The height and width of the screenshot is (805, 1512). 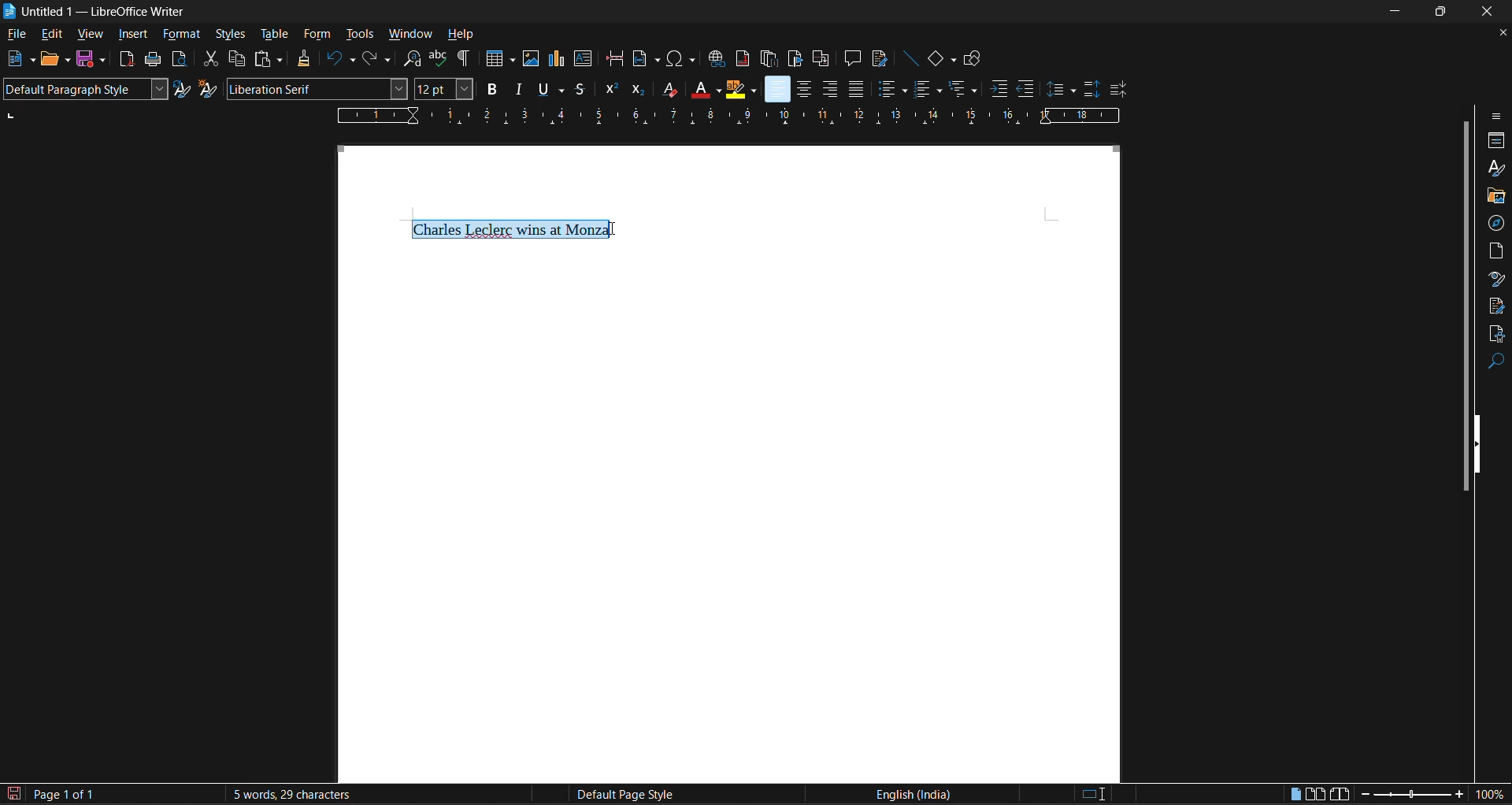 I want to click on click to save, so click(x=16, y=795).